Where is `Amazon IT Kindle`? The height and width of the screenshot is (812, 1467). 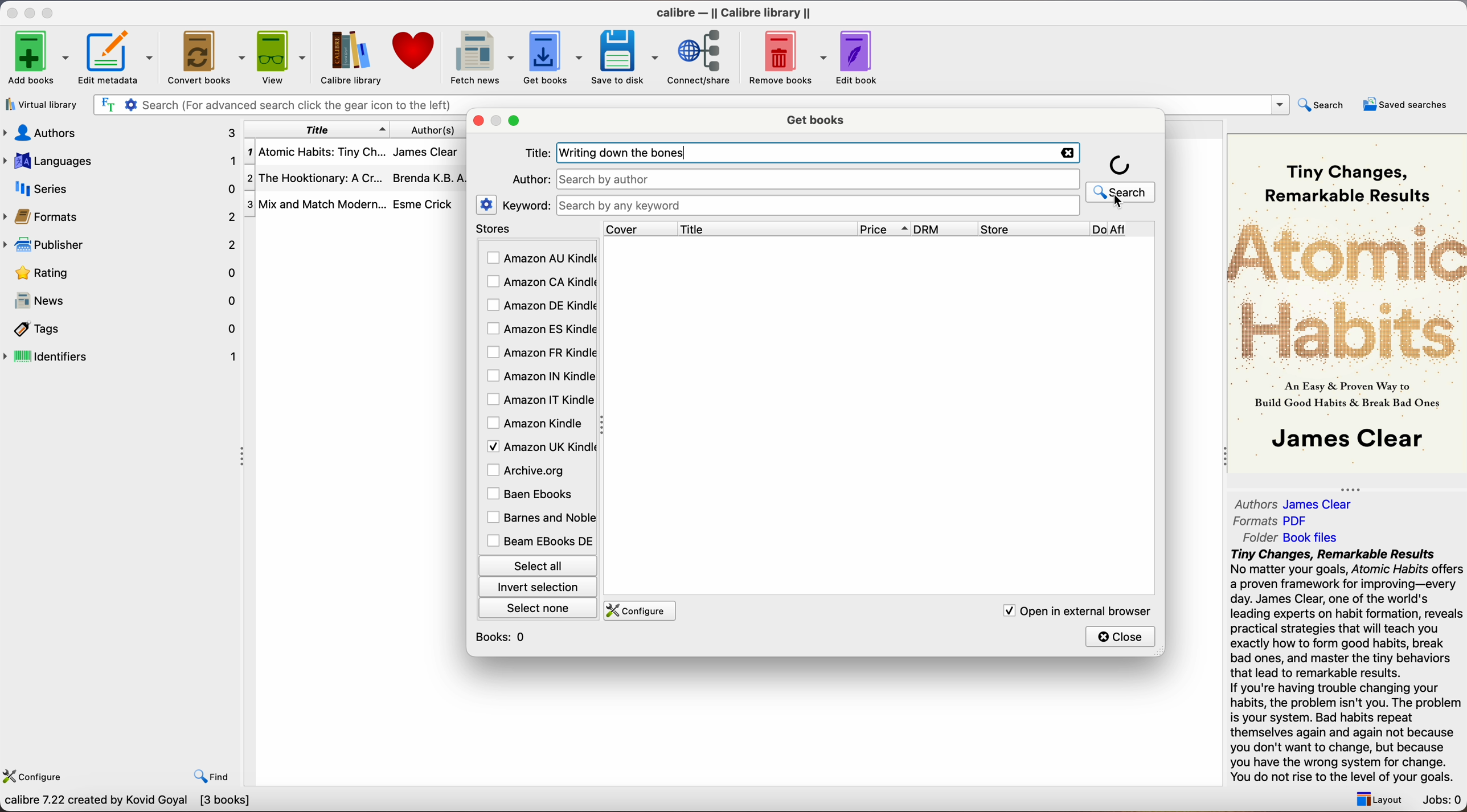 Amazon IT Kindle is located at coordinates (541, 400).